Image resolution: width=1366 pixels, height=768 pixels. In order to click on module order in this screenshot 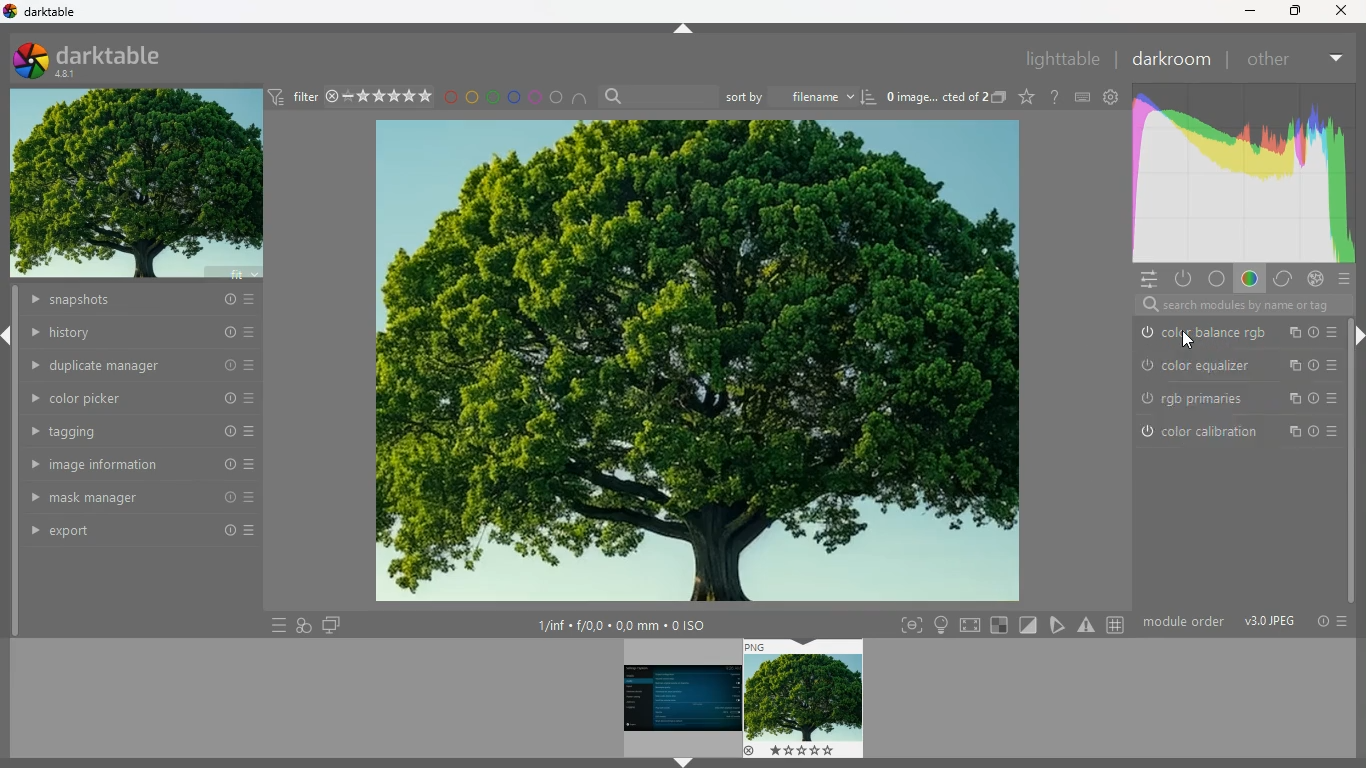, I will do `click(1244, 621)`.